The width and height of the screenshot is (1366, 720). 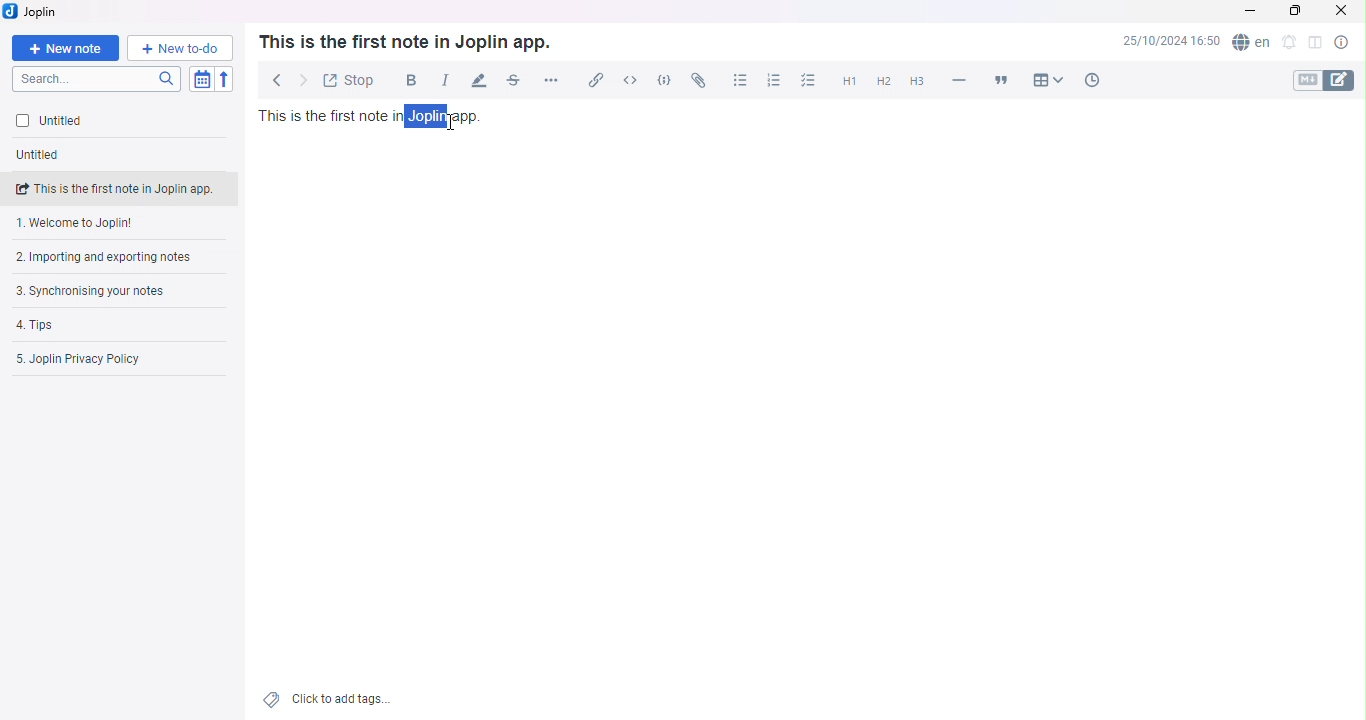 What do you see at coordinates (592, 82) in the screenshot?
I see `Insert/edit link` at bounding box center [592, 82].